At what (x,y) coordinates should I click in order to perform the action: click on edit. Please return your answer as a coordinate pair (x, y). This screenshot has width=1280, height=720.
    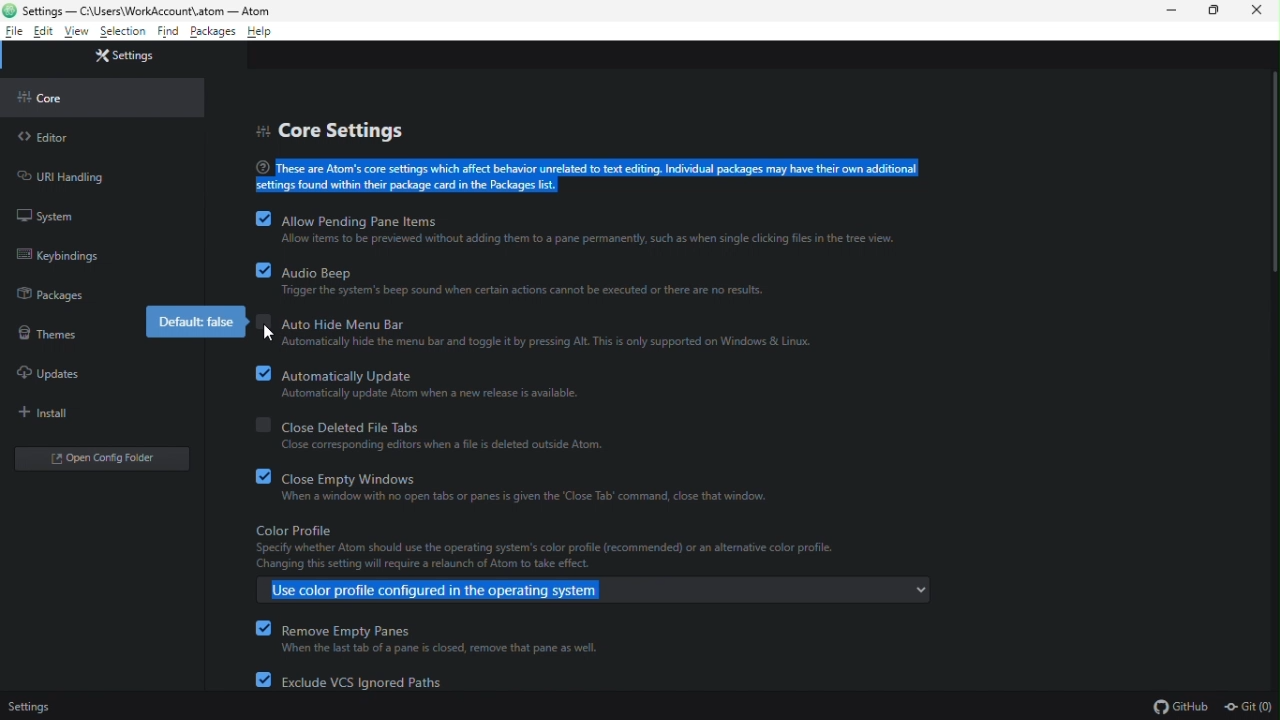
    Looking at the image, I should click on (45, 32).